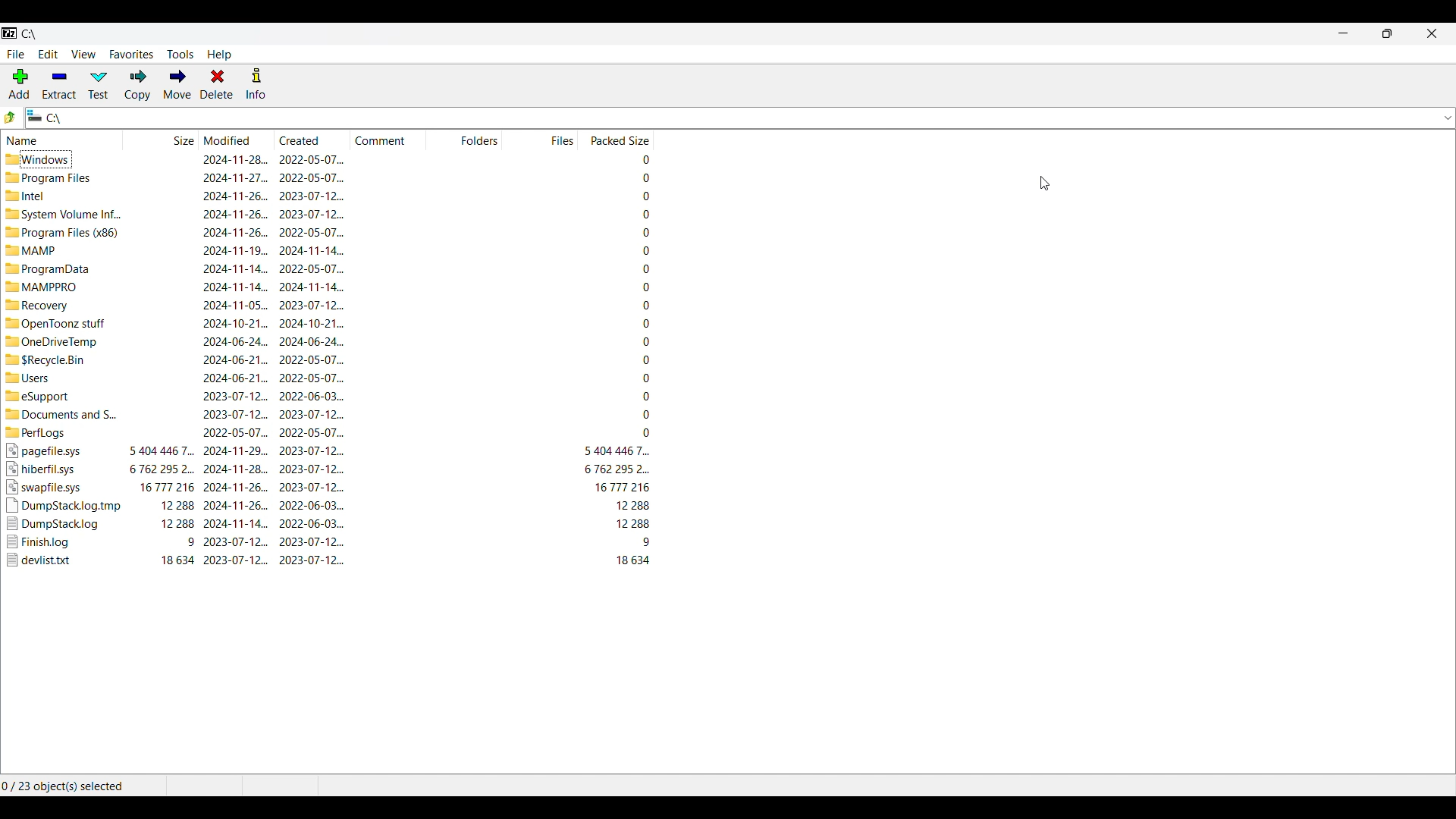  I want to click on Cursor position unchanged, so click(1044, 184).